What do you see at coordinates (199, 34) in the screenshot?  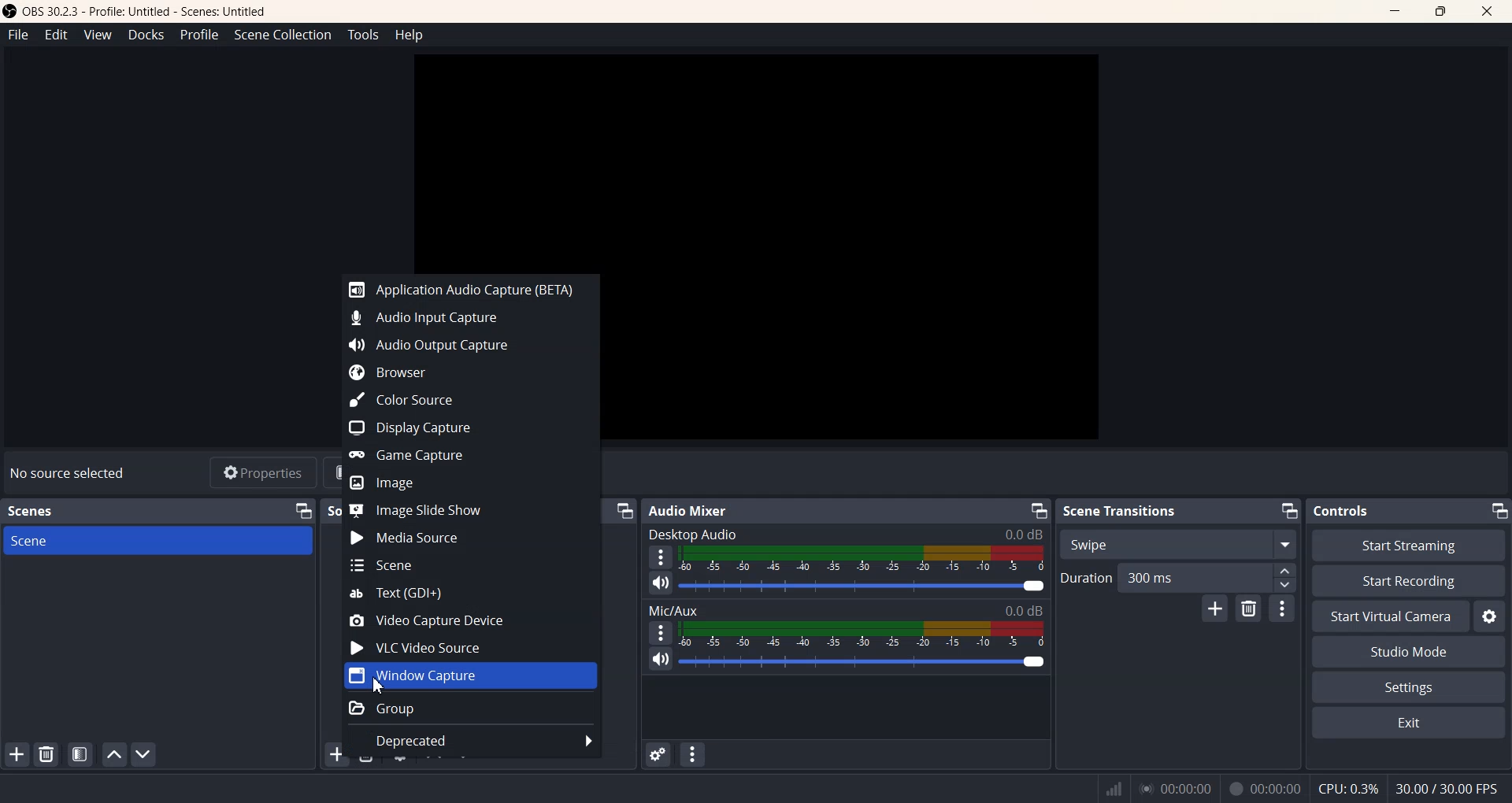 I see `Profile` at bounding box center [199, 34].